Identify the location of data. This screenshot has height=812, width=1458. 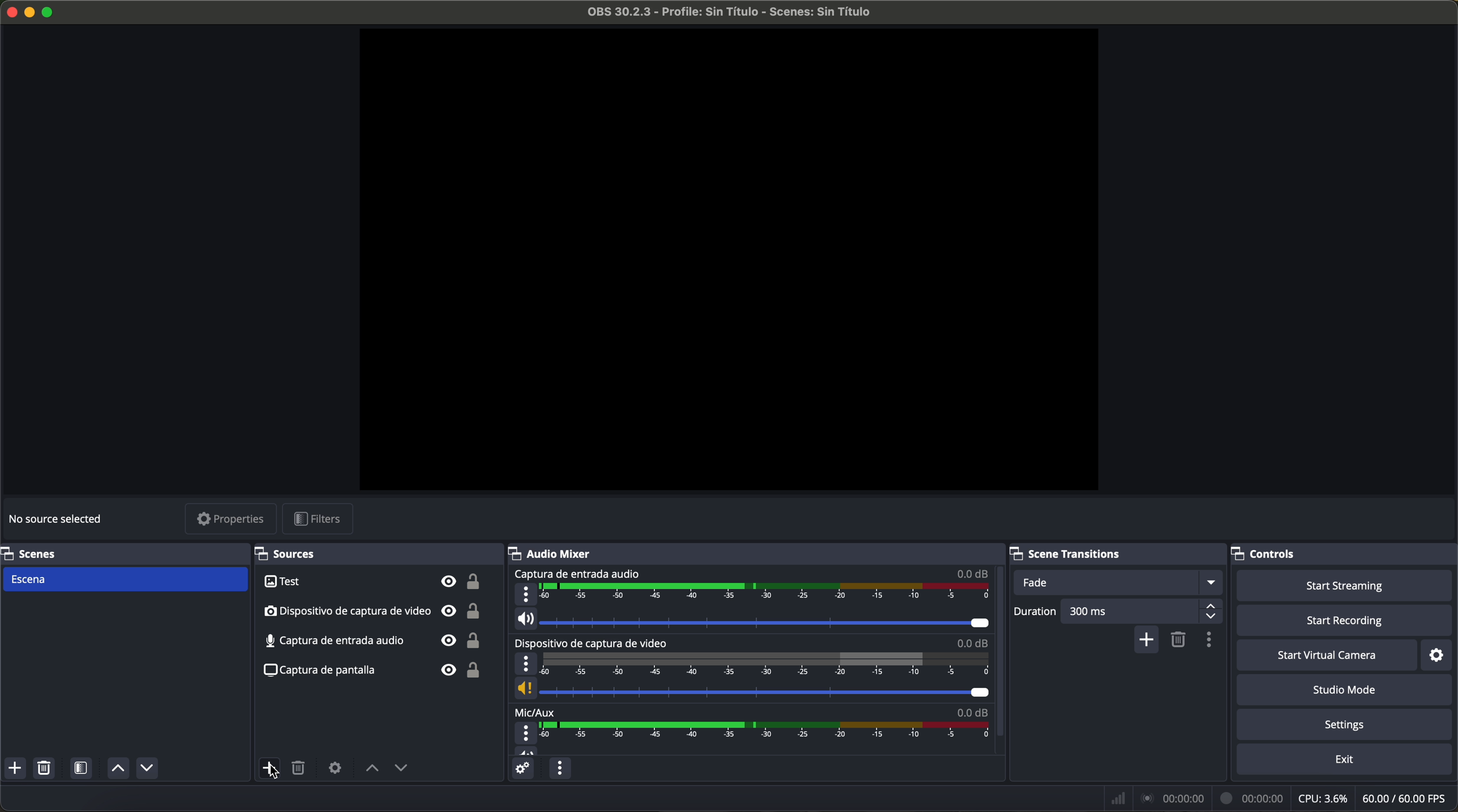
(1280, 797).